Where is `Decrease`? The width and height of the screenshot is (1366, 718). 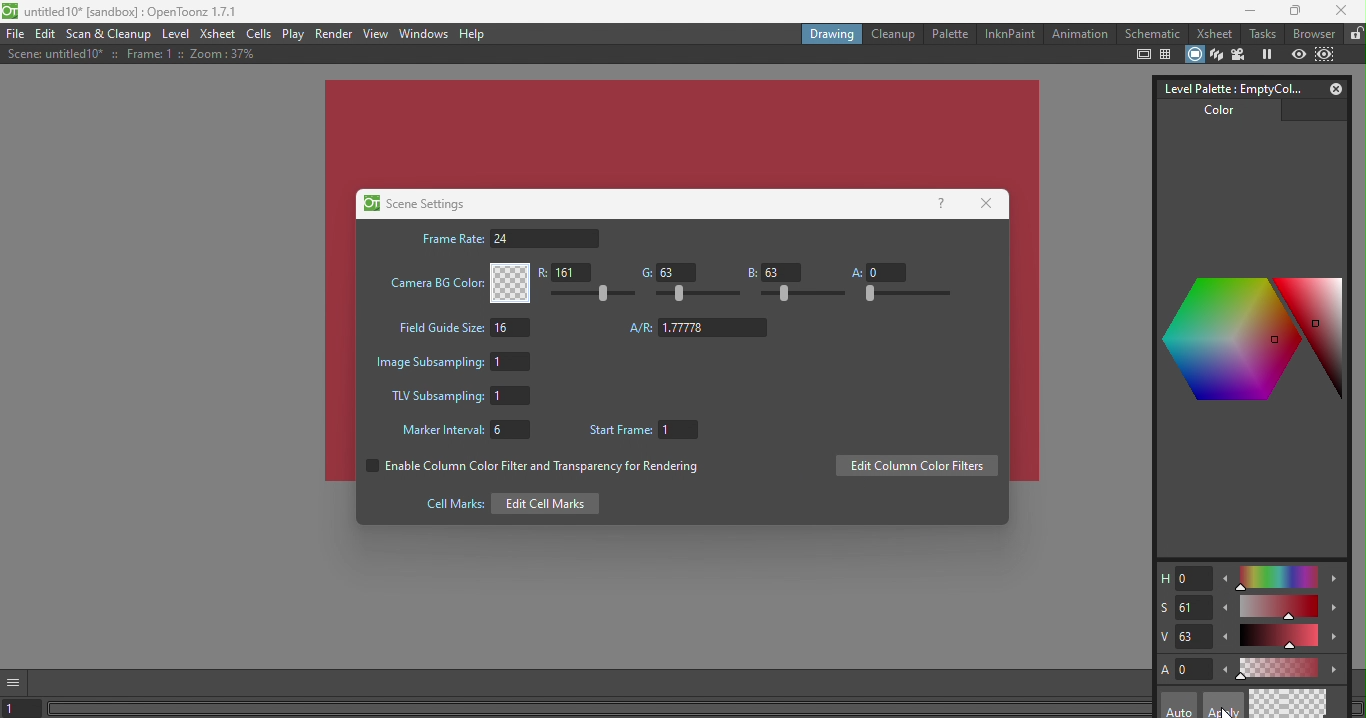 Decrease is located at coordinates (1226, 582).